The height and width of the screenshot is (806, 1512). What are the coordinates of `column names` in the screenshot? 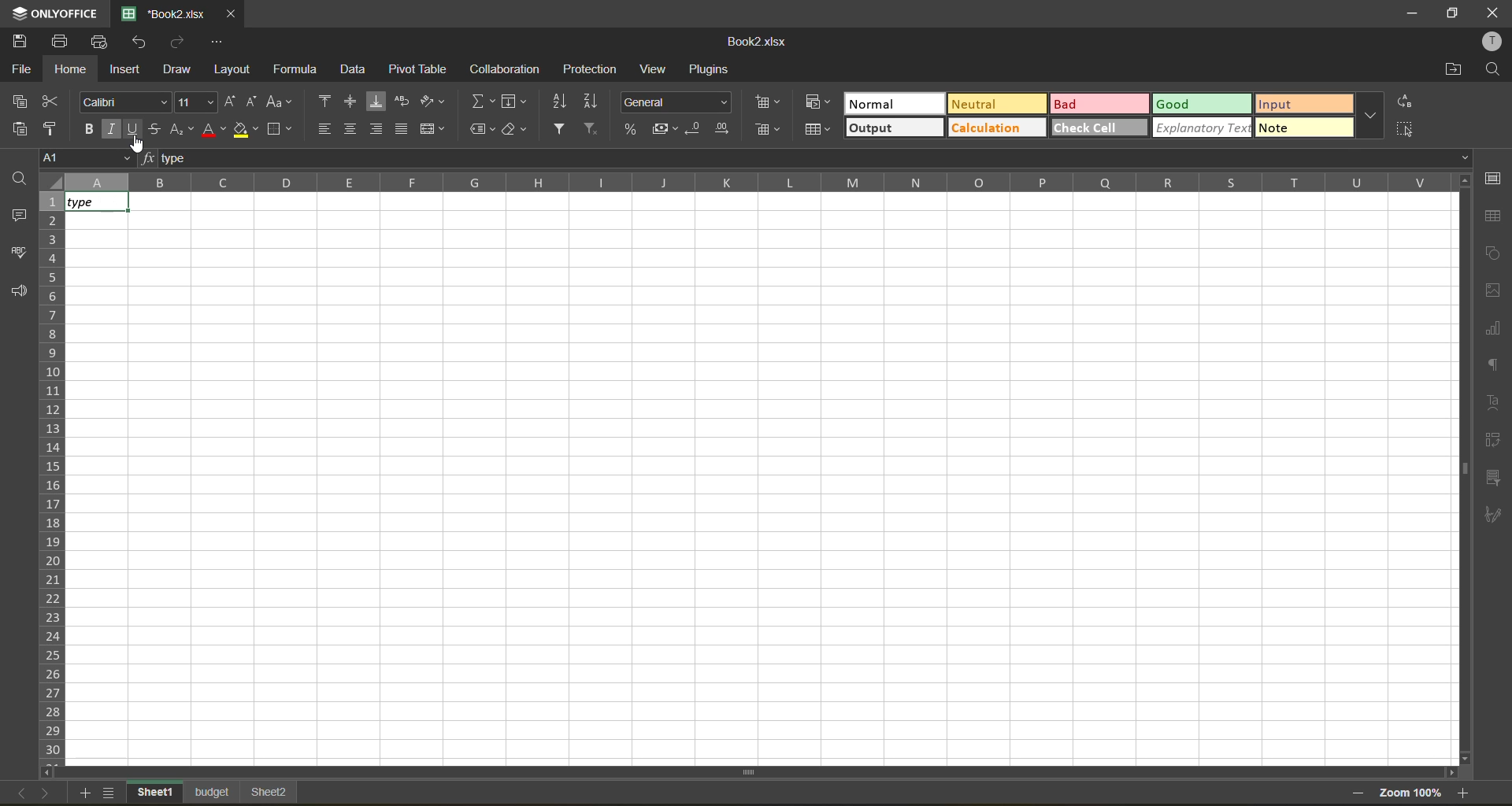 It's located at (751, 180).